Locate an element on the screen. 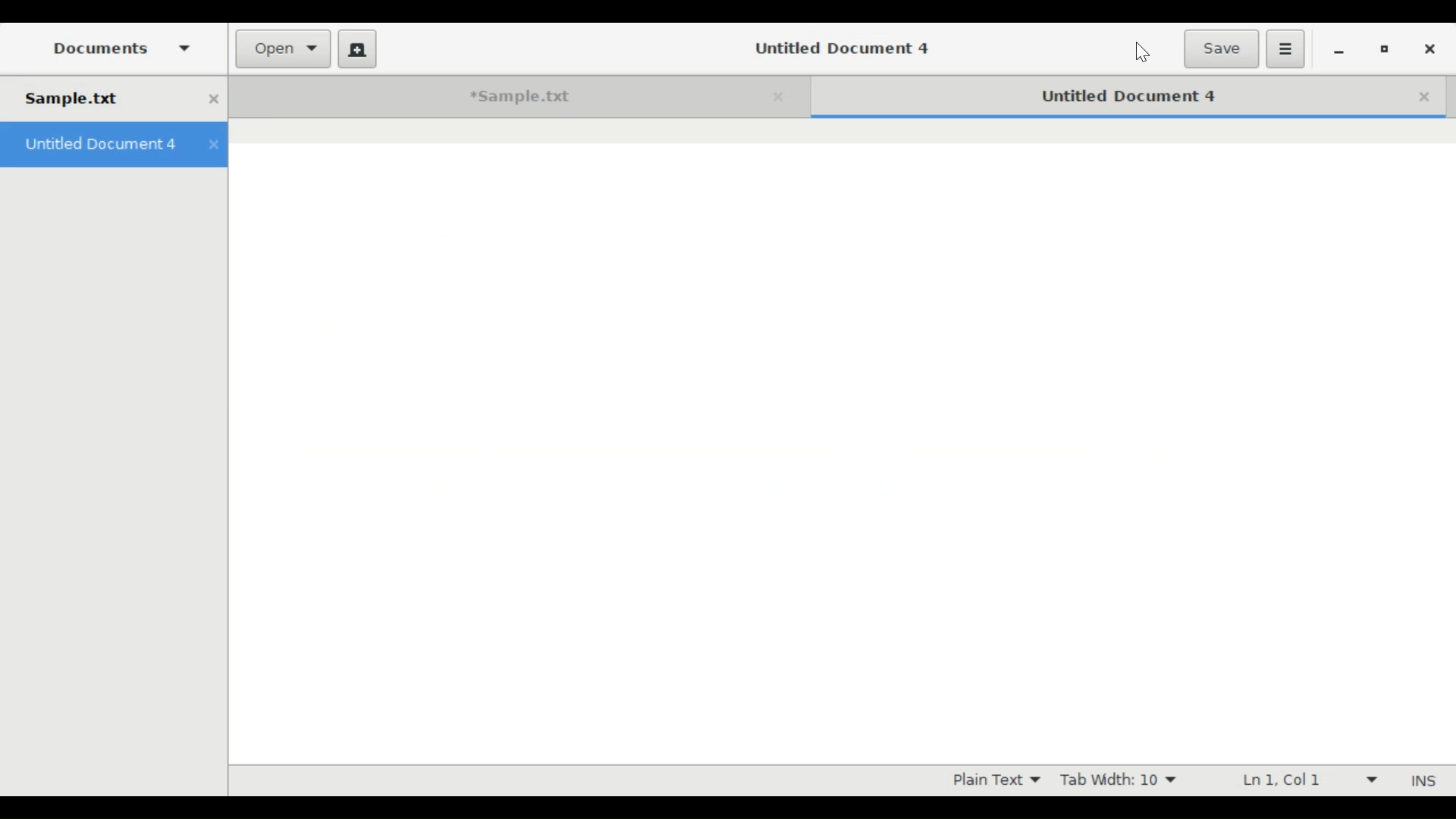  Close is located at coordinates (1432, 51).